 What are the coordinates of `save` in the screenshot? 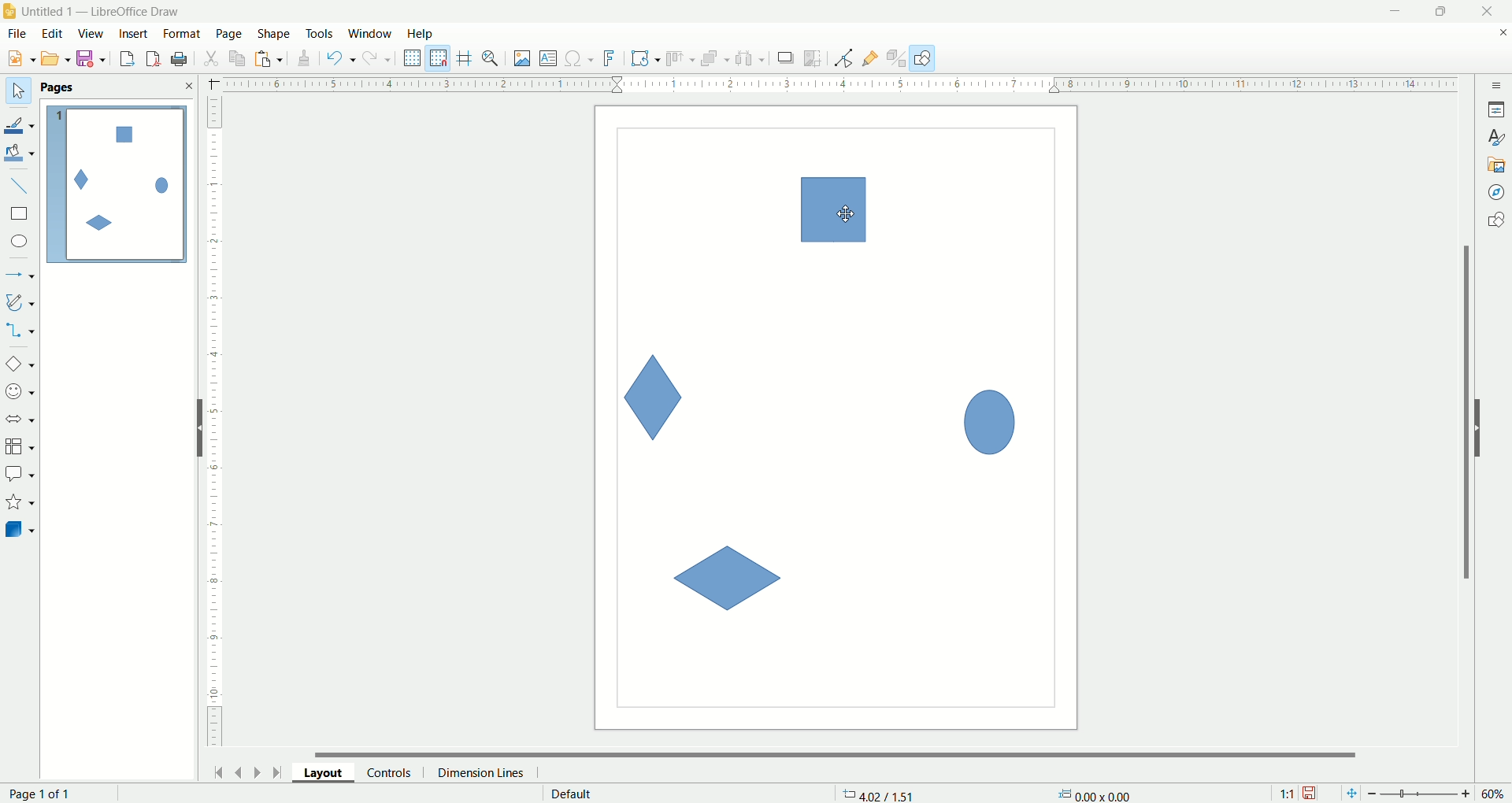 It's located at (94, 59).